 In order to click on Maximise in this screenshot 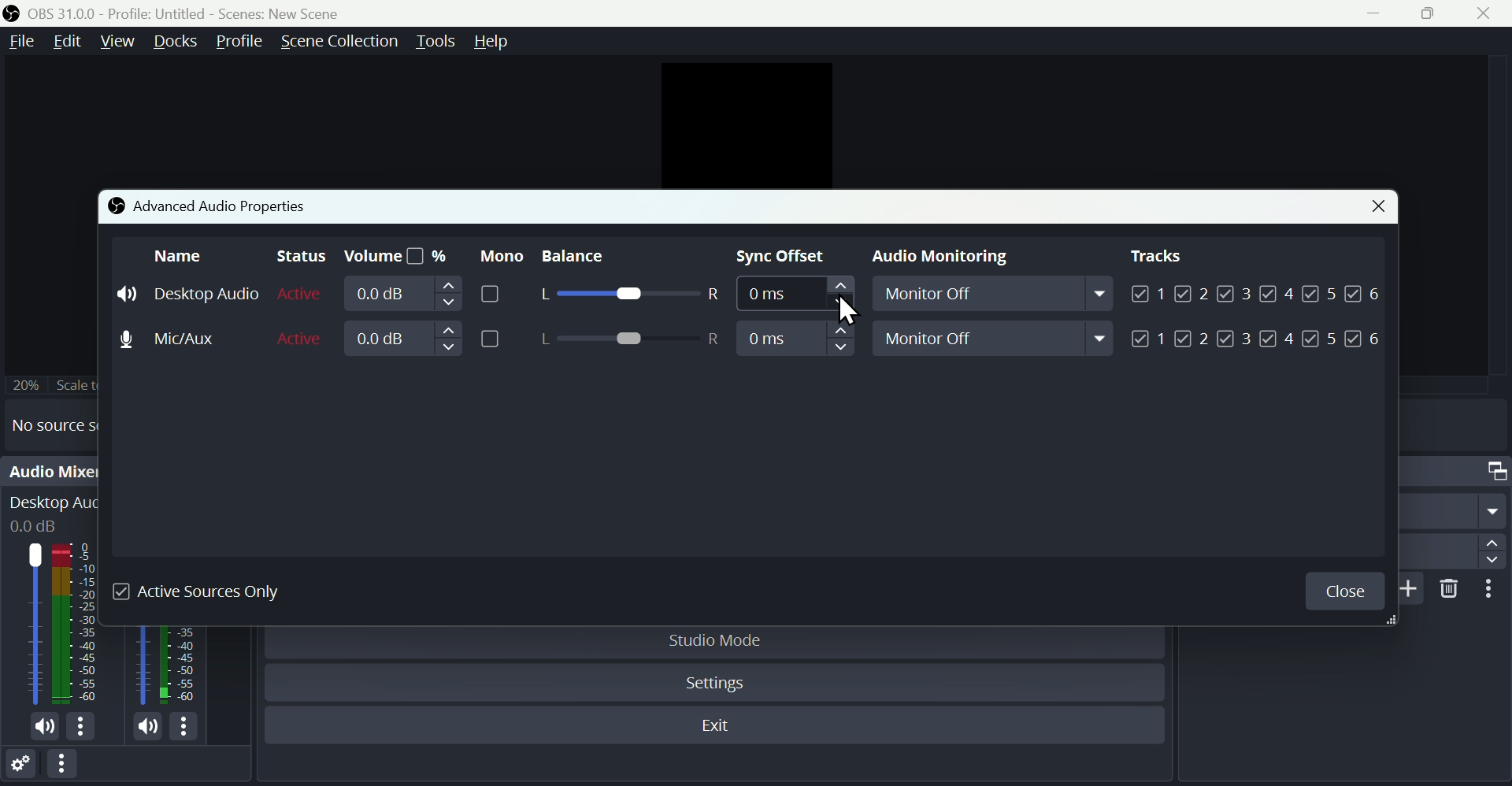, I will do `click(1436, 13)`.